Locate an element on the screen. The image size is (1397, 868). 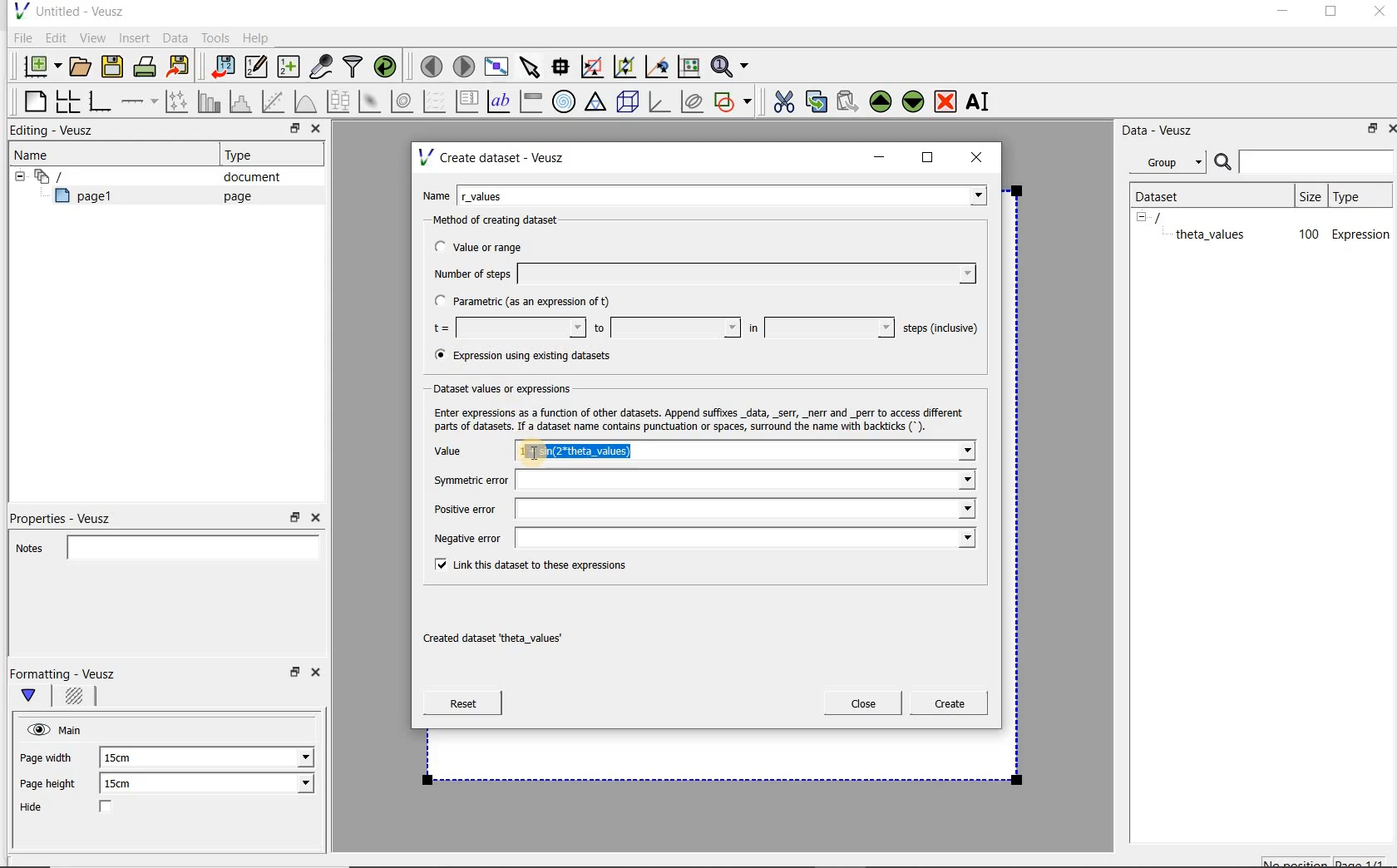
Plot points with lines and error bars is located at coordinates (178, 101).